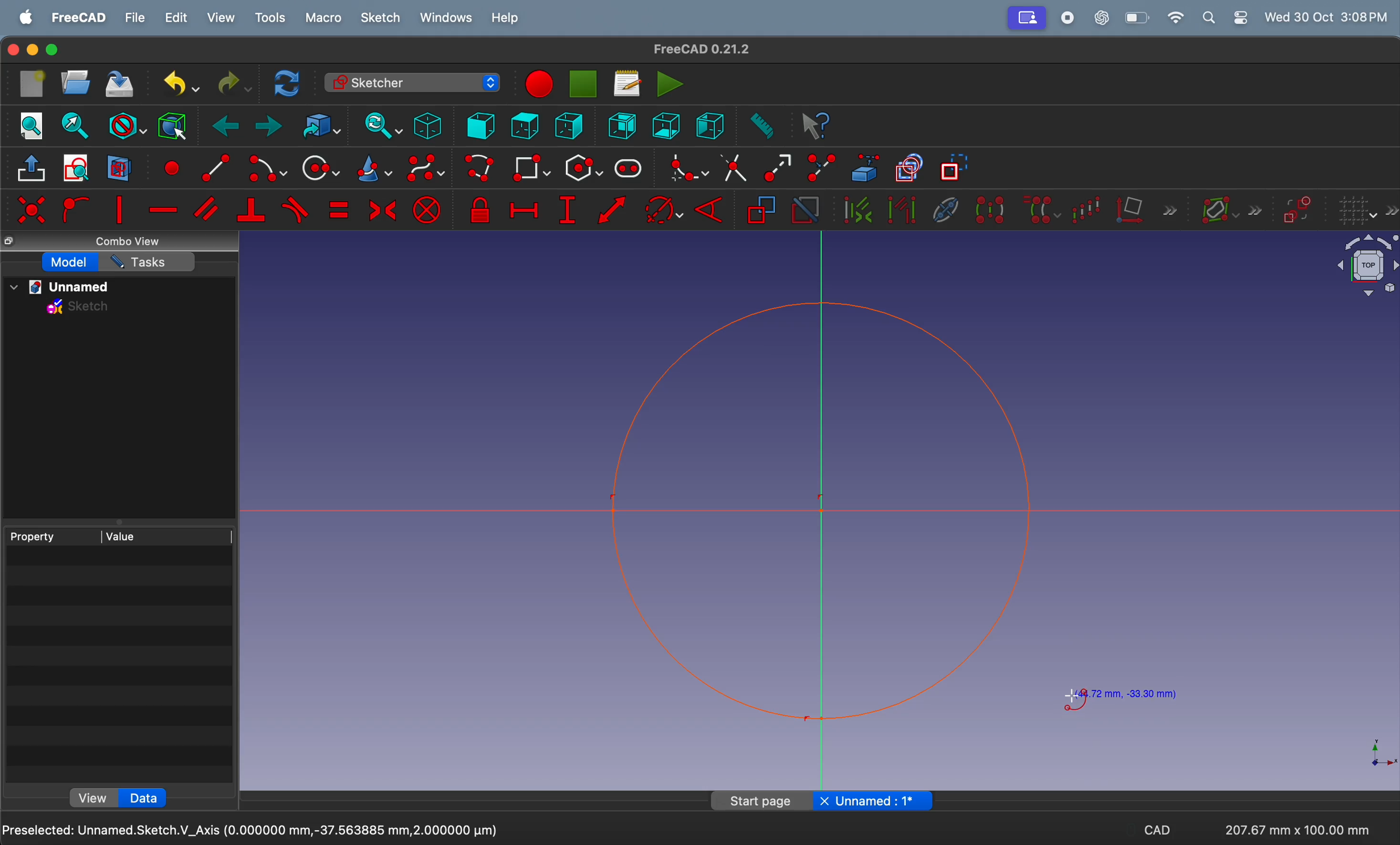 This screenshot has height=845, width=1400. What do you see at coordinates (1157, 833) in the screenshot?
I see `cad` at bounding box center [1157, 833].